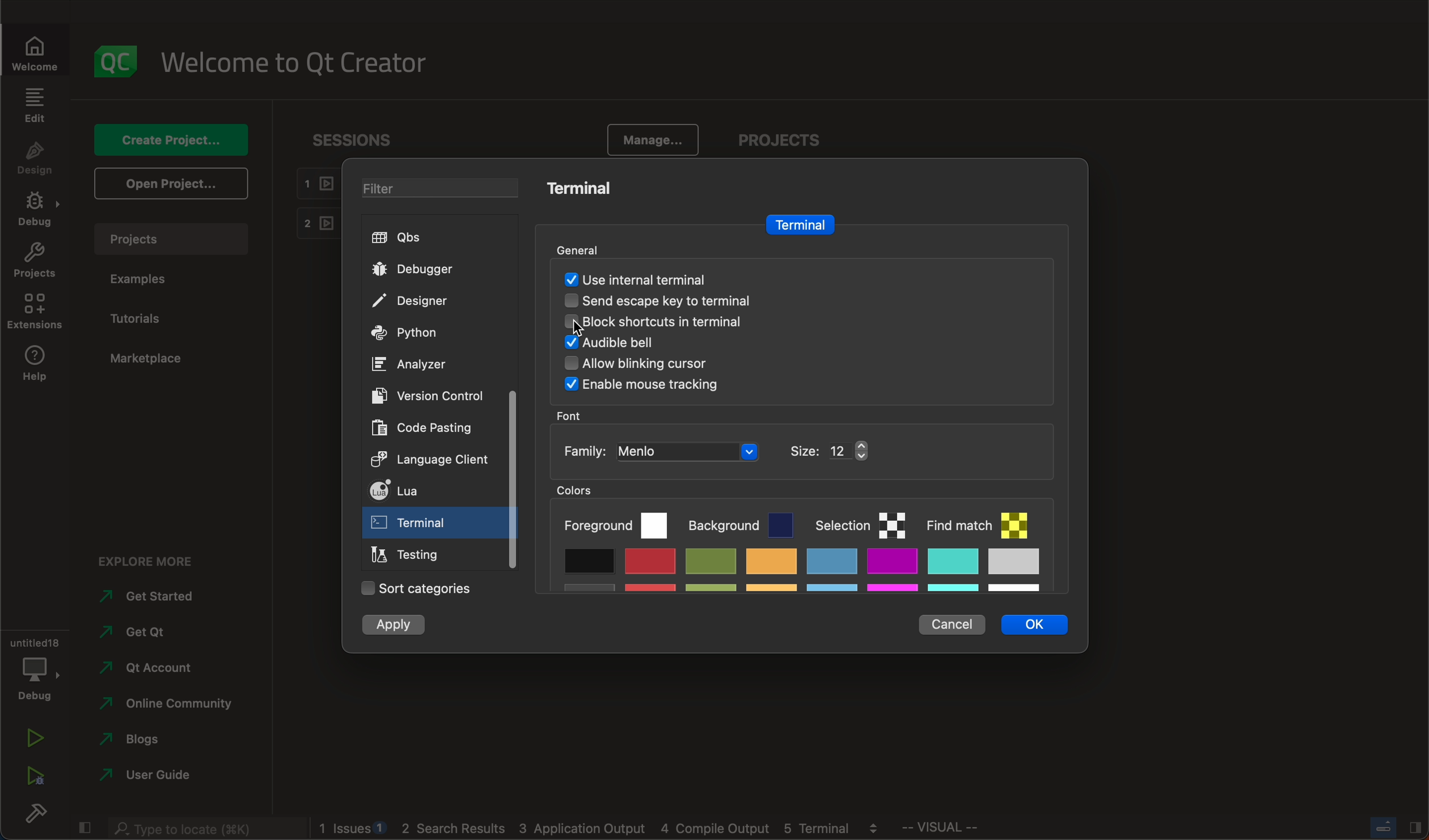  Describe the element at coordinates (950, 623) in the screenshot. I see `cancel` at that location.